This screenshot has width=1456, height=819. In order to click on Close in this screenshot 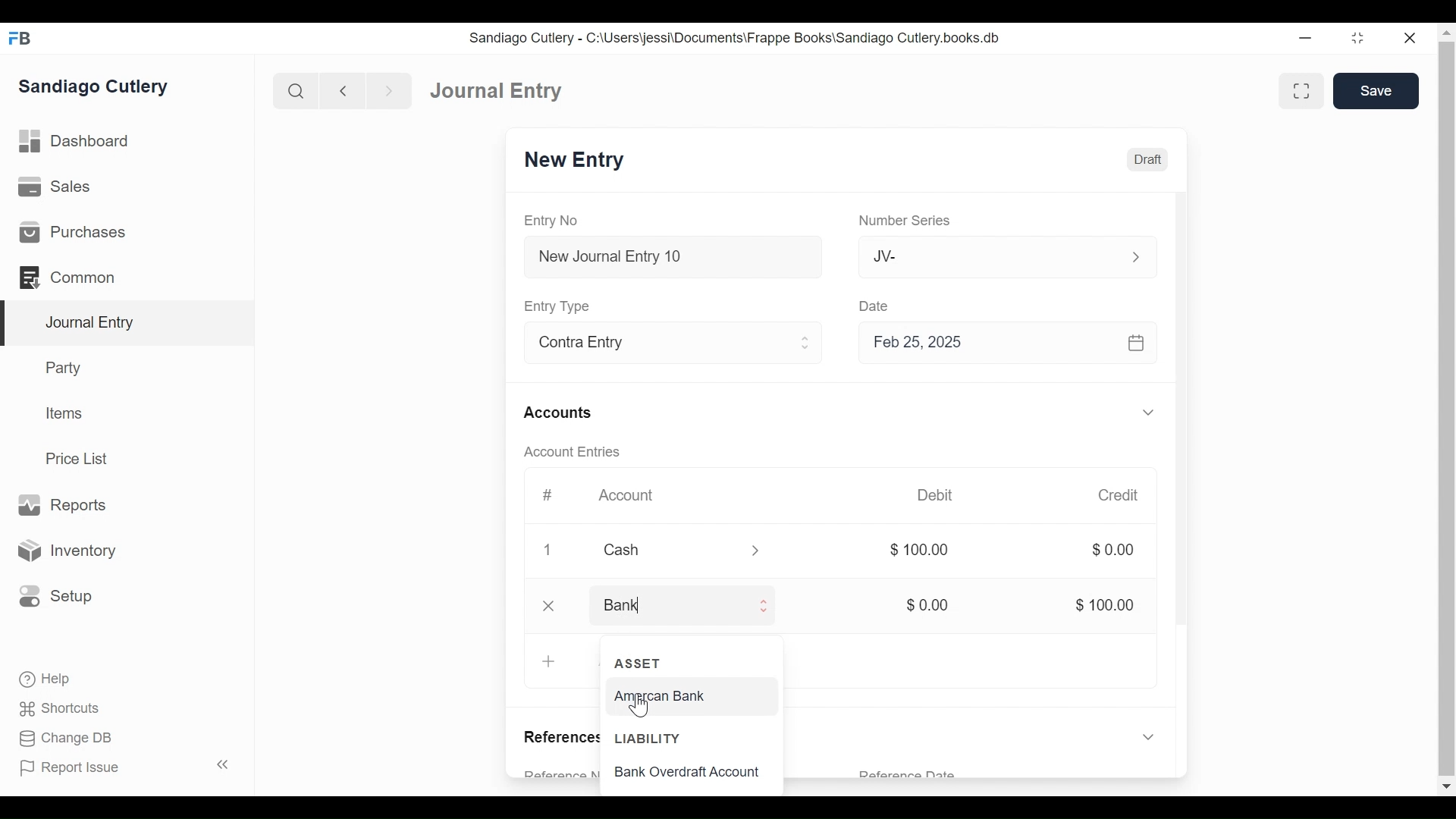, I will do `click(551, 605)`.